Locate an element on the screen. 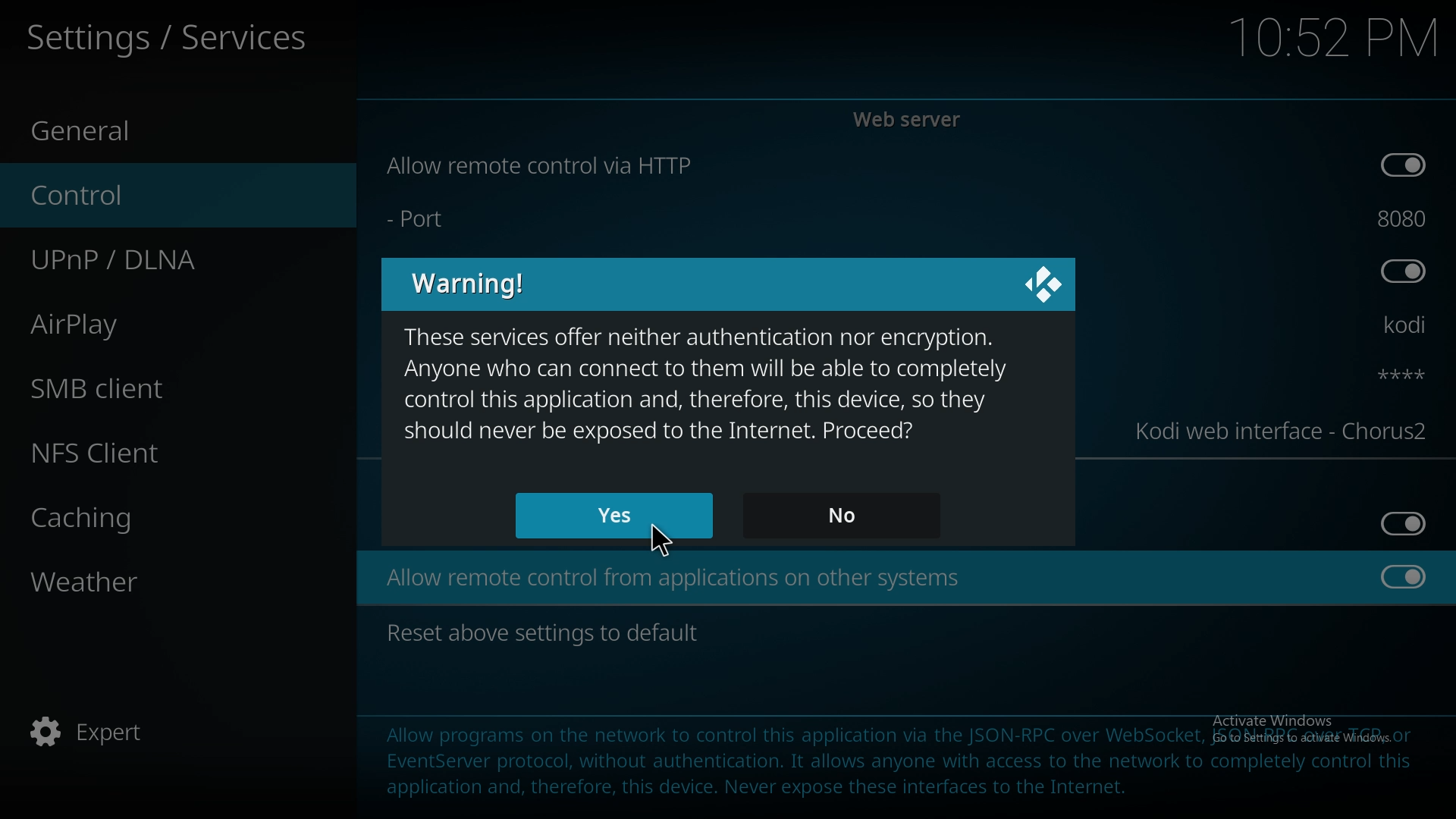 This screenshot has width=1456, height=819. toggle is located at coordinates (1404, 524).